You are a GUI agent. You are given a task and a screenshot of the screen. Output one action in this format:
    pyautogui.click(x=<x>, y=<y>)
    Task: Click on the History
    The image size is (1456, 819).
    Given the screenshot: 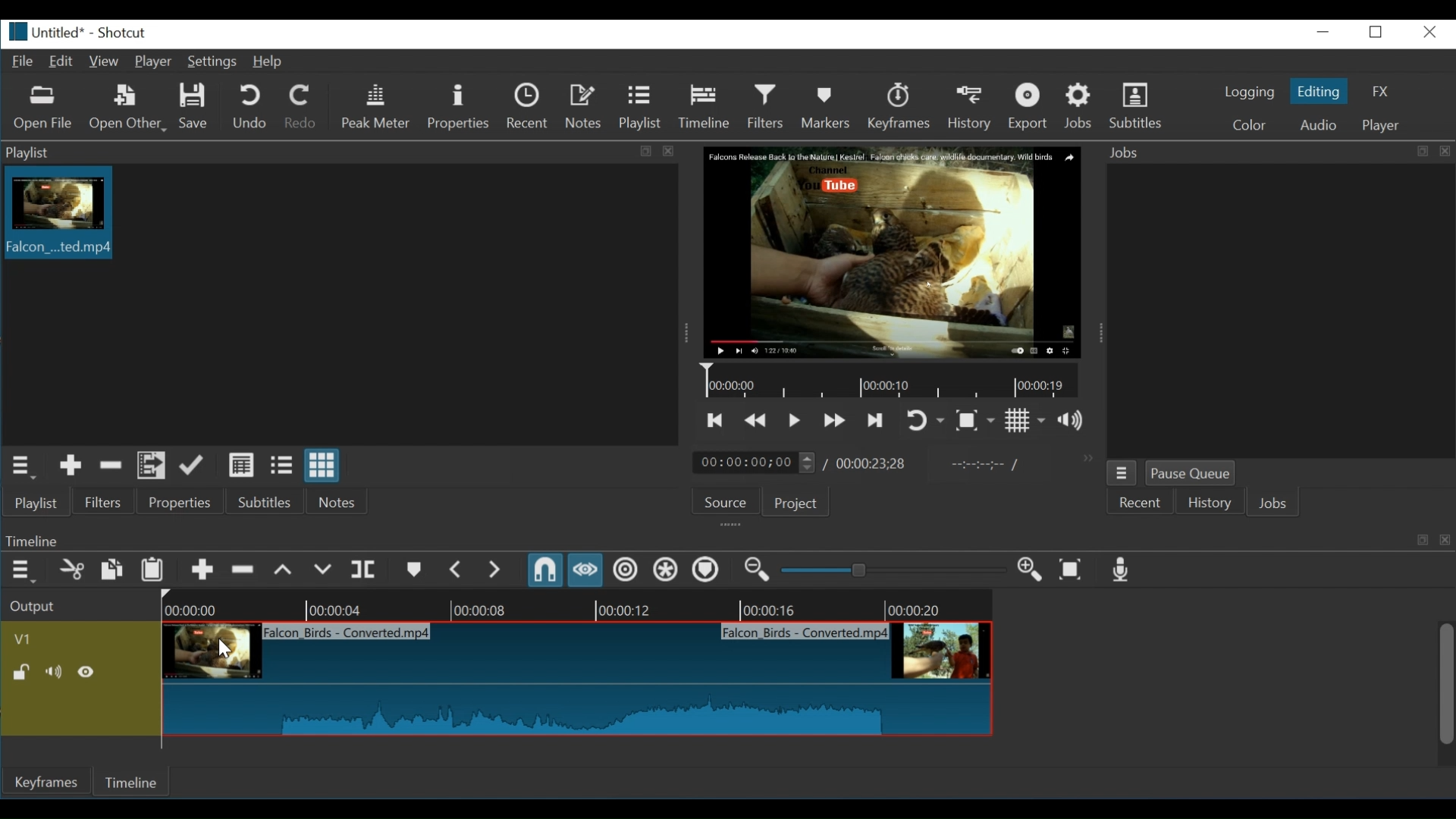 What is the action you would take?
    pyautogui.click(x=973, y=106)
    